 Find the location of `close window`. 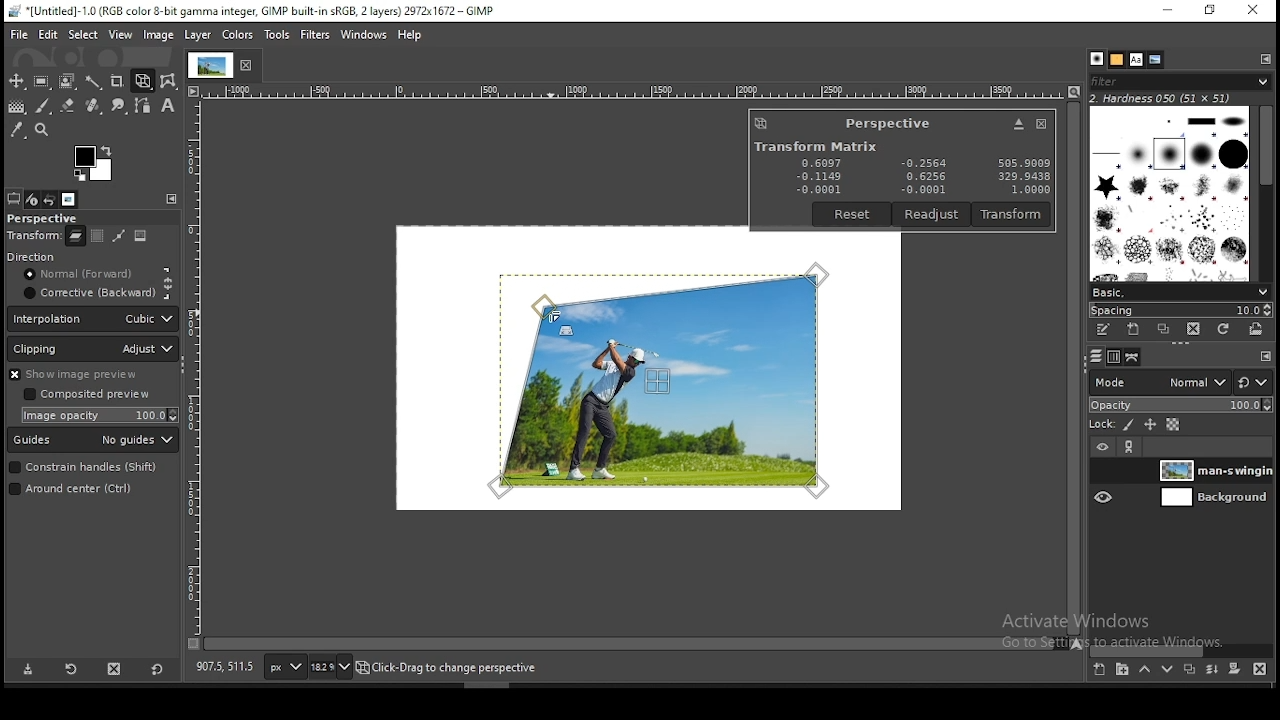

close window is located at coordinates (1254, 11).